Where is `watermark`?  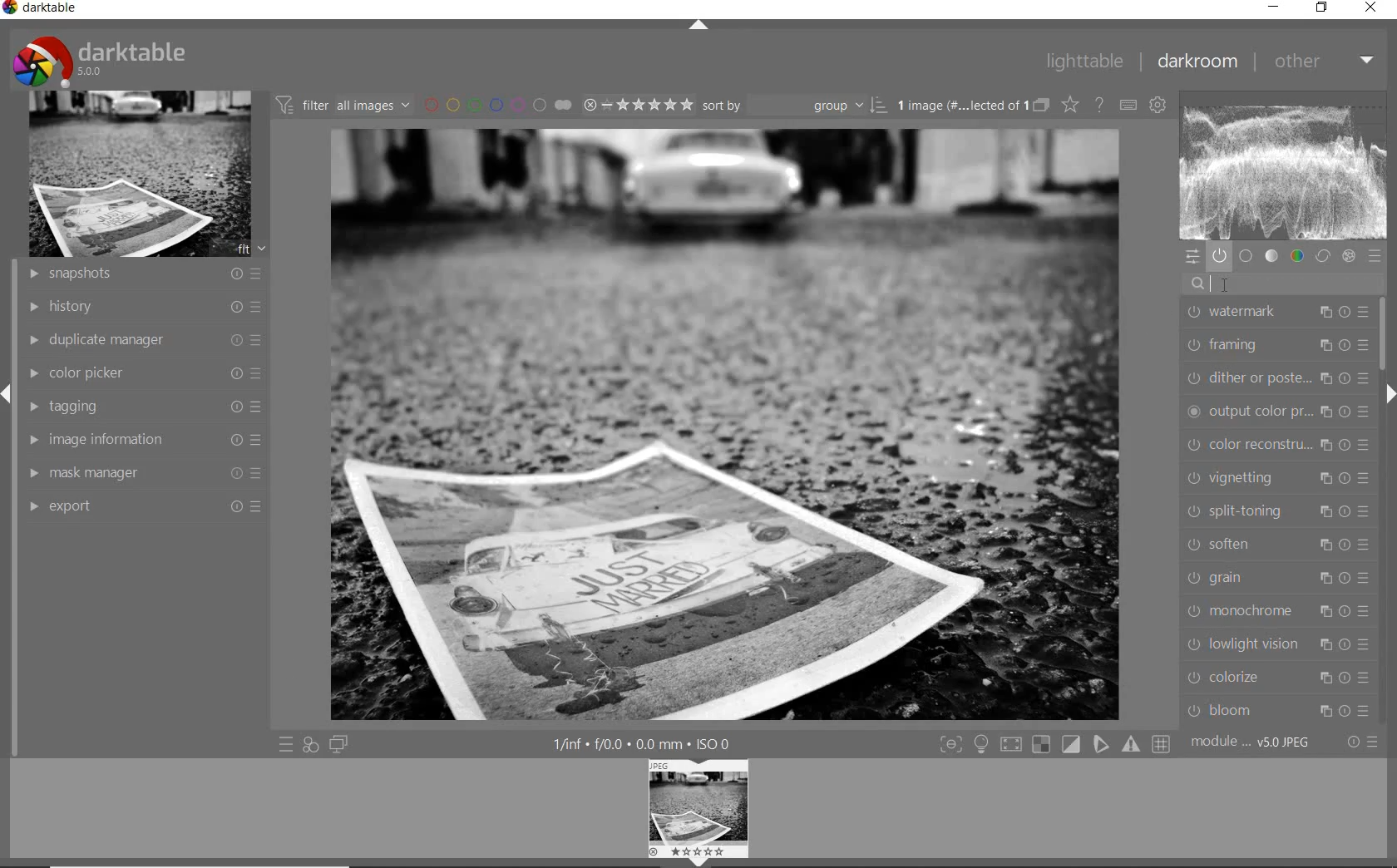
watermark is located at coordinates (1279, 313).